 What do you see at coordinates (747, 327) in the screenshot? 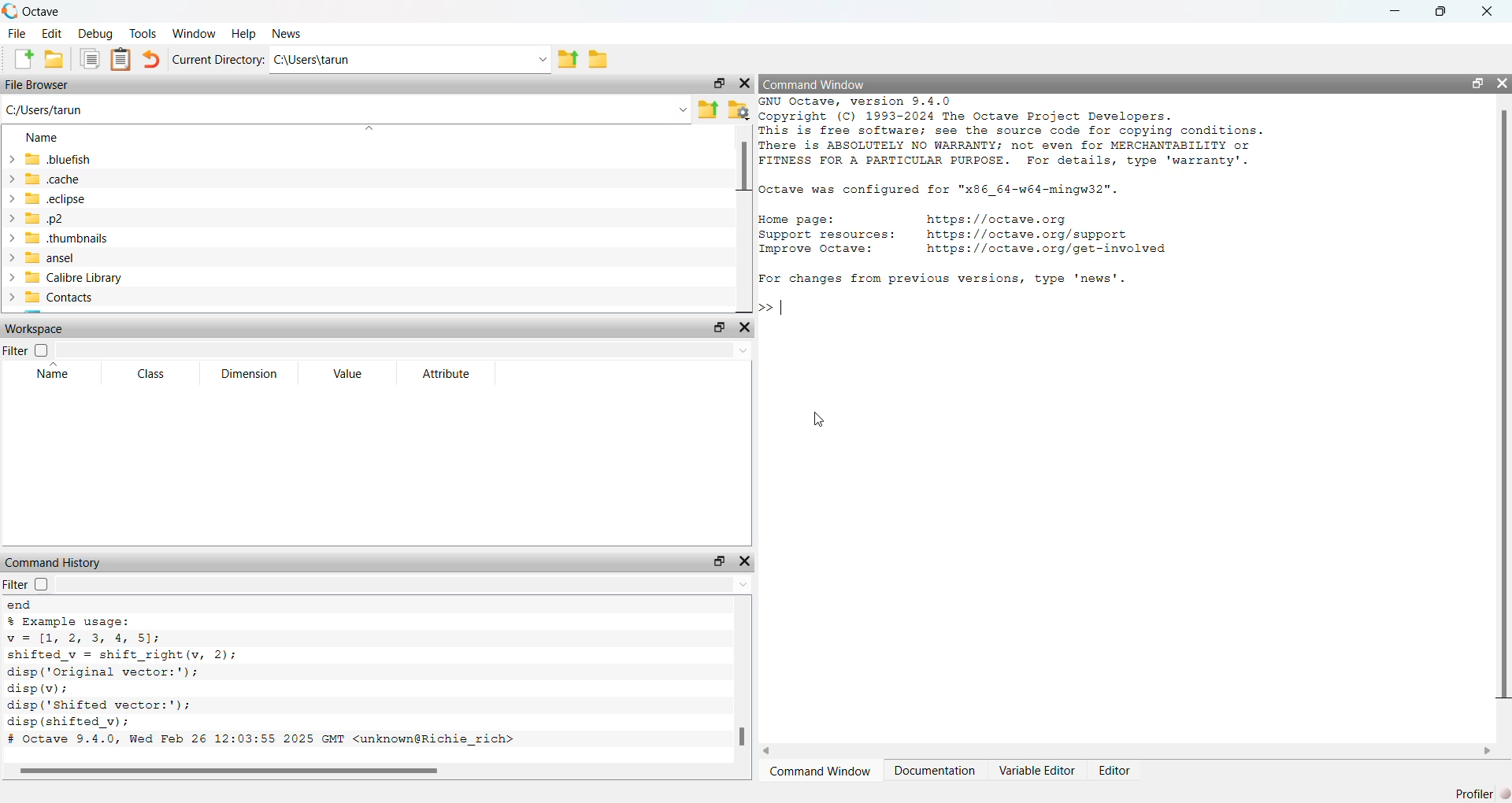
I see `hide widget` at bounding box center [747, 327].